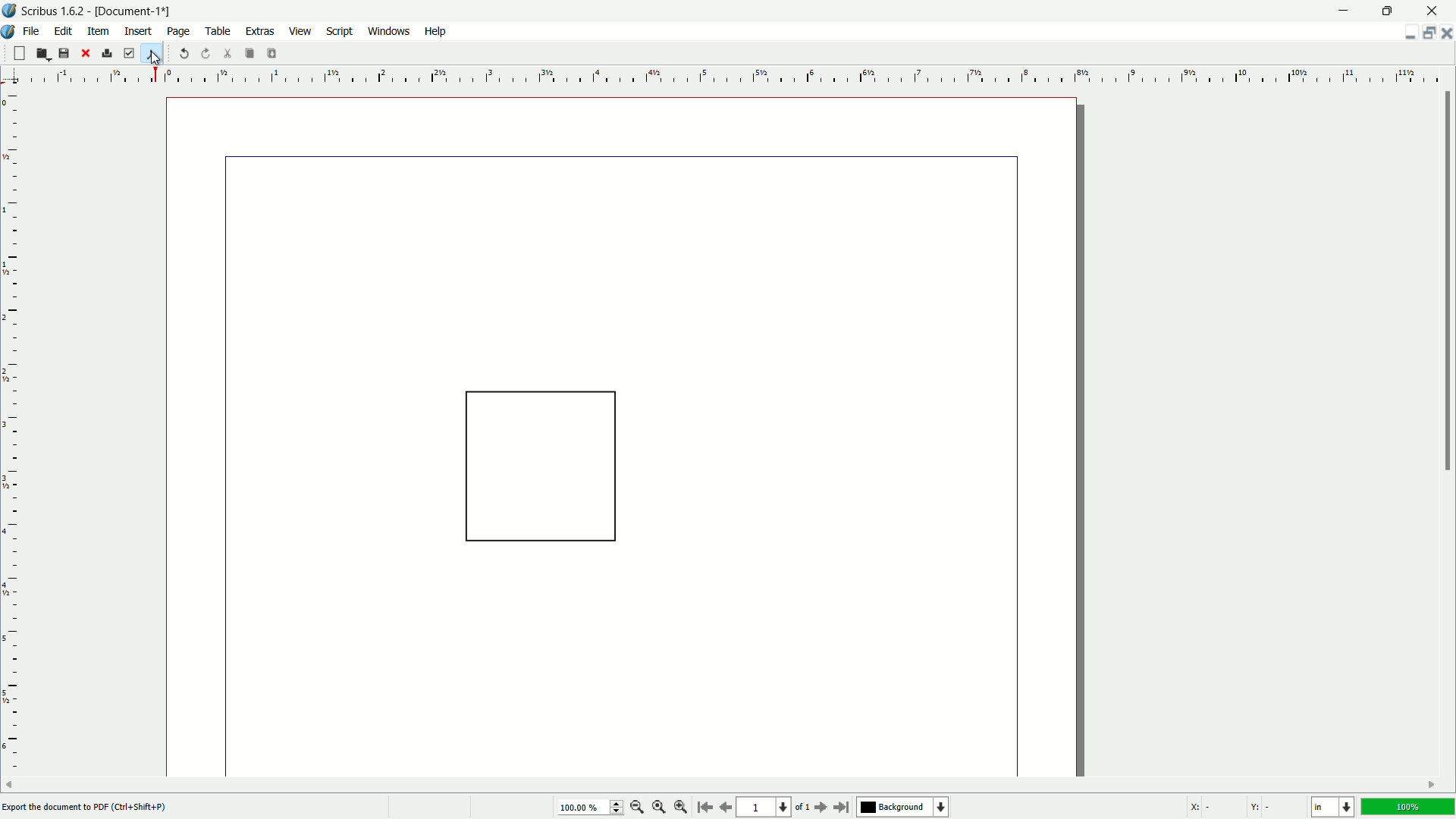  Describe the element at coordinates (1410, 808) in the screenshot. I see `100%` at that location.